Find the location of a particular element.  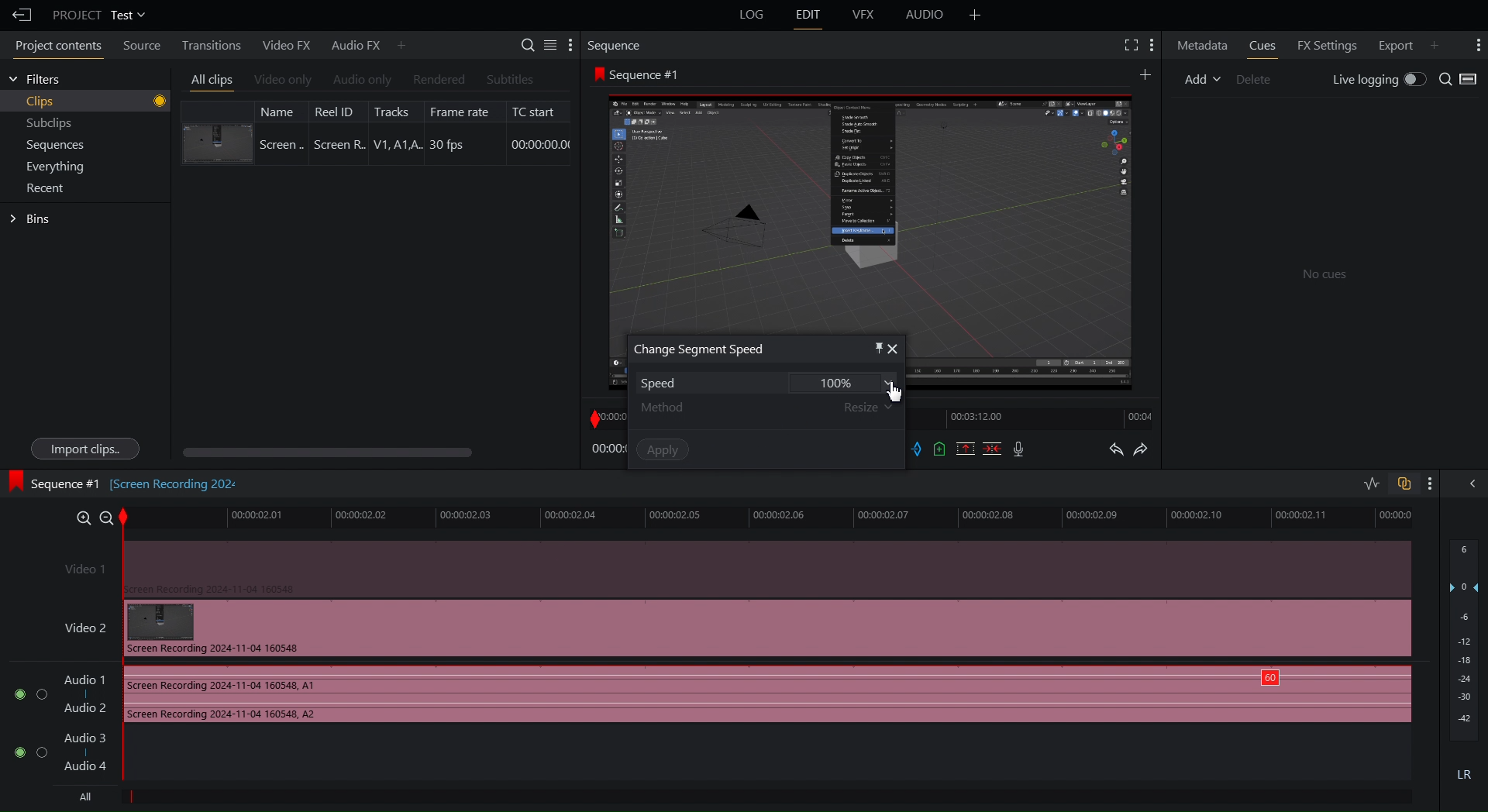

Transitions is located at coordinates (207, 44).